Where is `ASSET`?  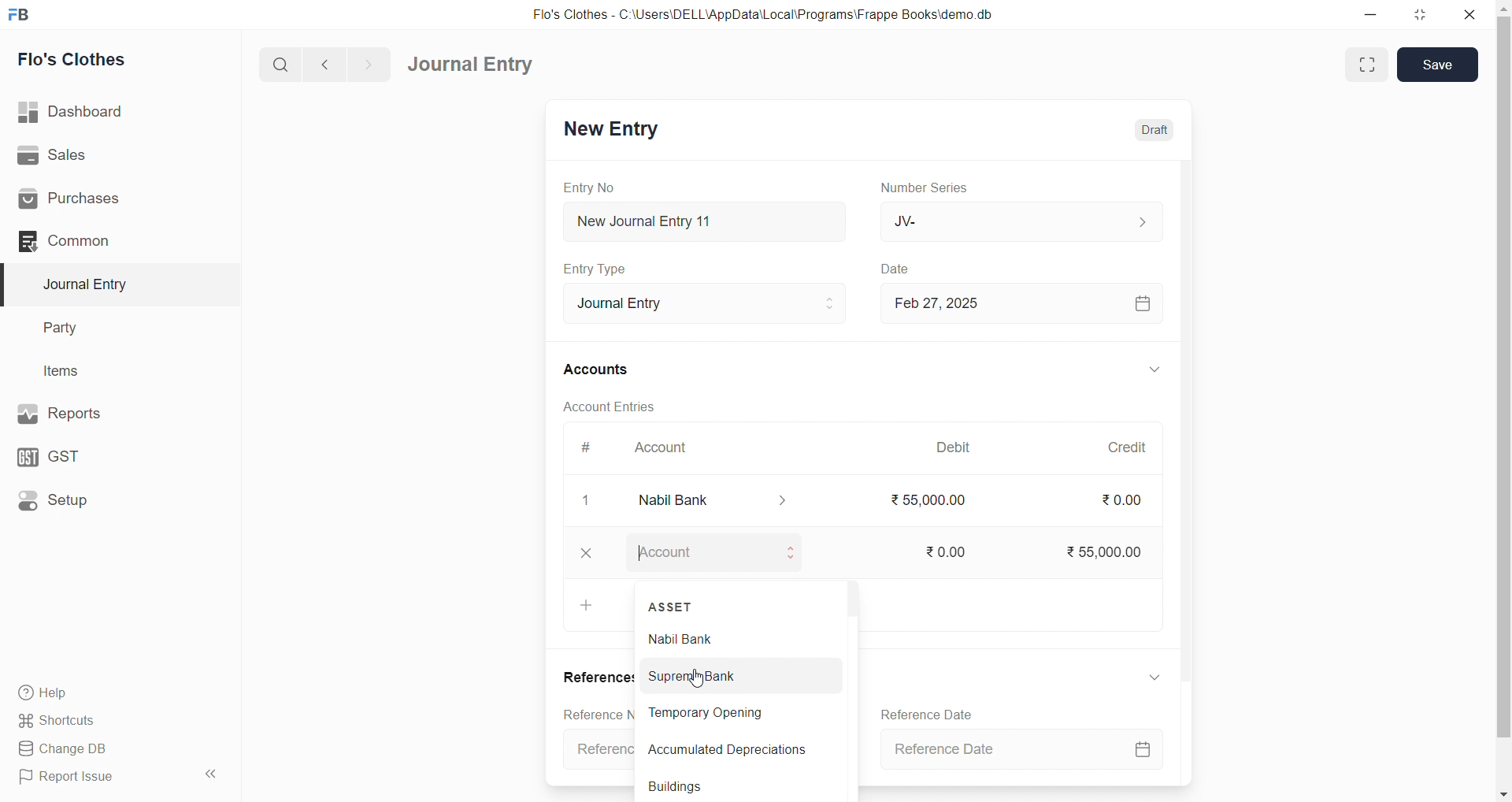 ASSET is located at coordinates (676, 603).